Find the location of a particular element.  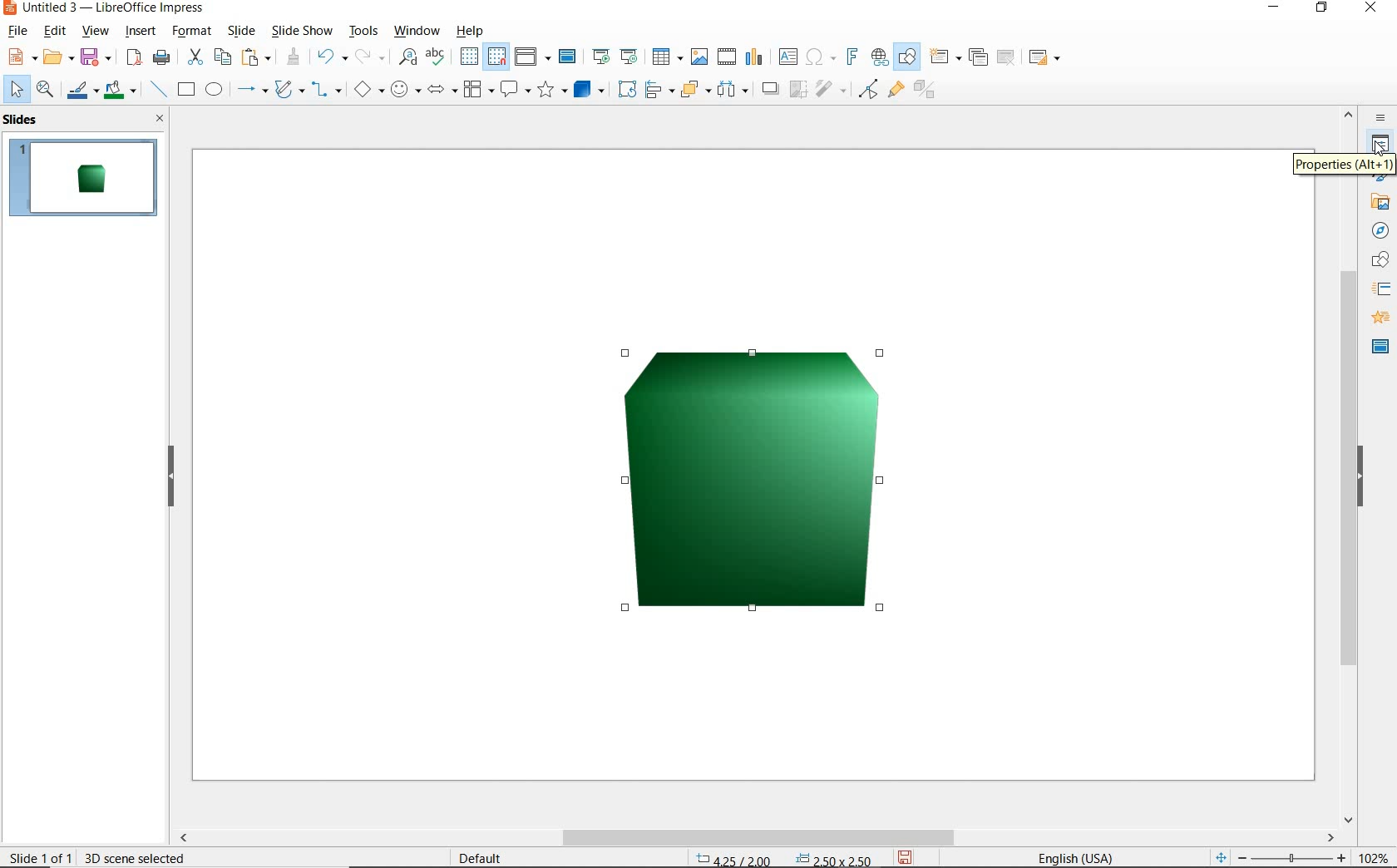

slide layout is located at coordinates (1045, 57).